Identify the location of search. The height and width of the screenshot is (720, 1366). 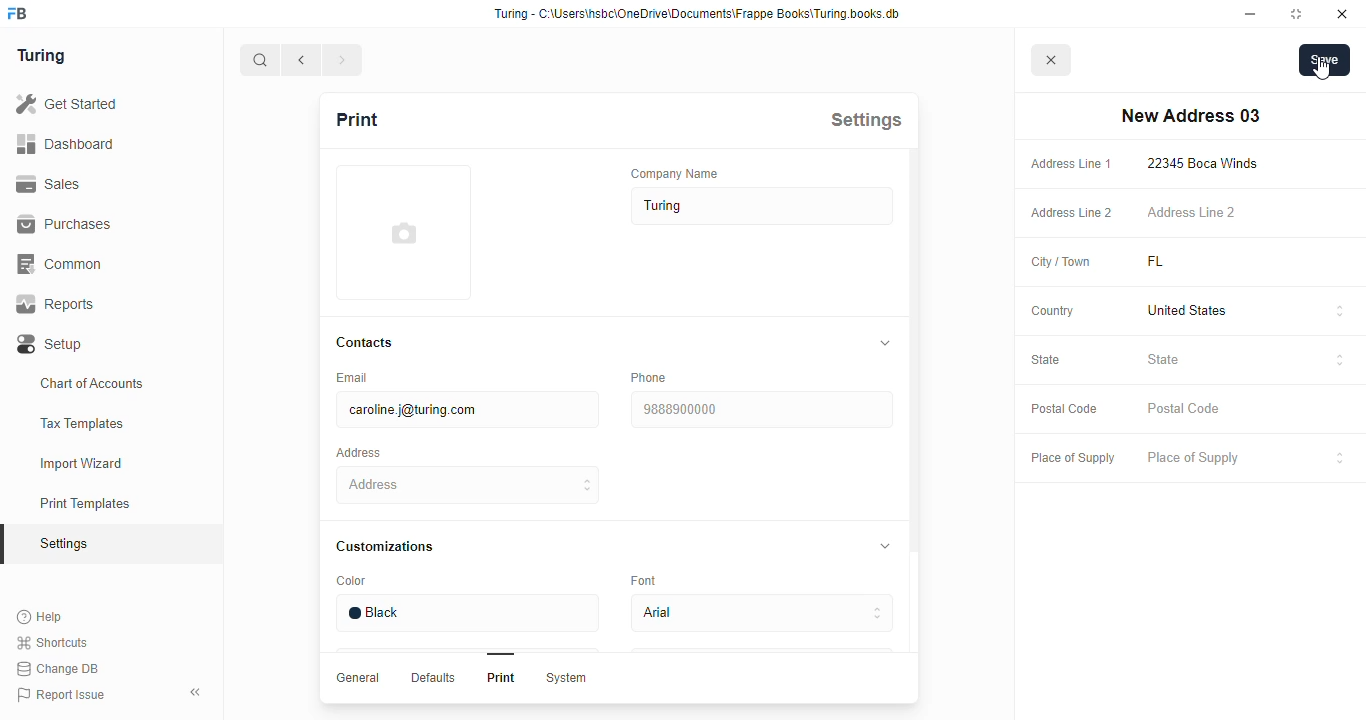
(260, 60).